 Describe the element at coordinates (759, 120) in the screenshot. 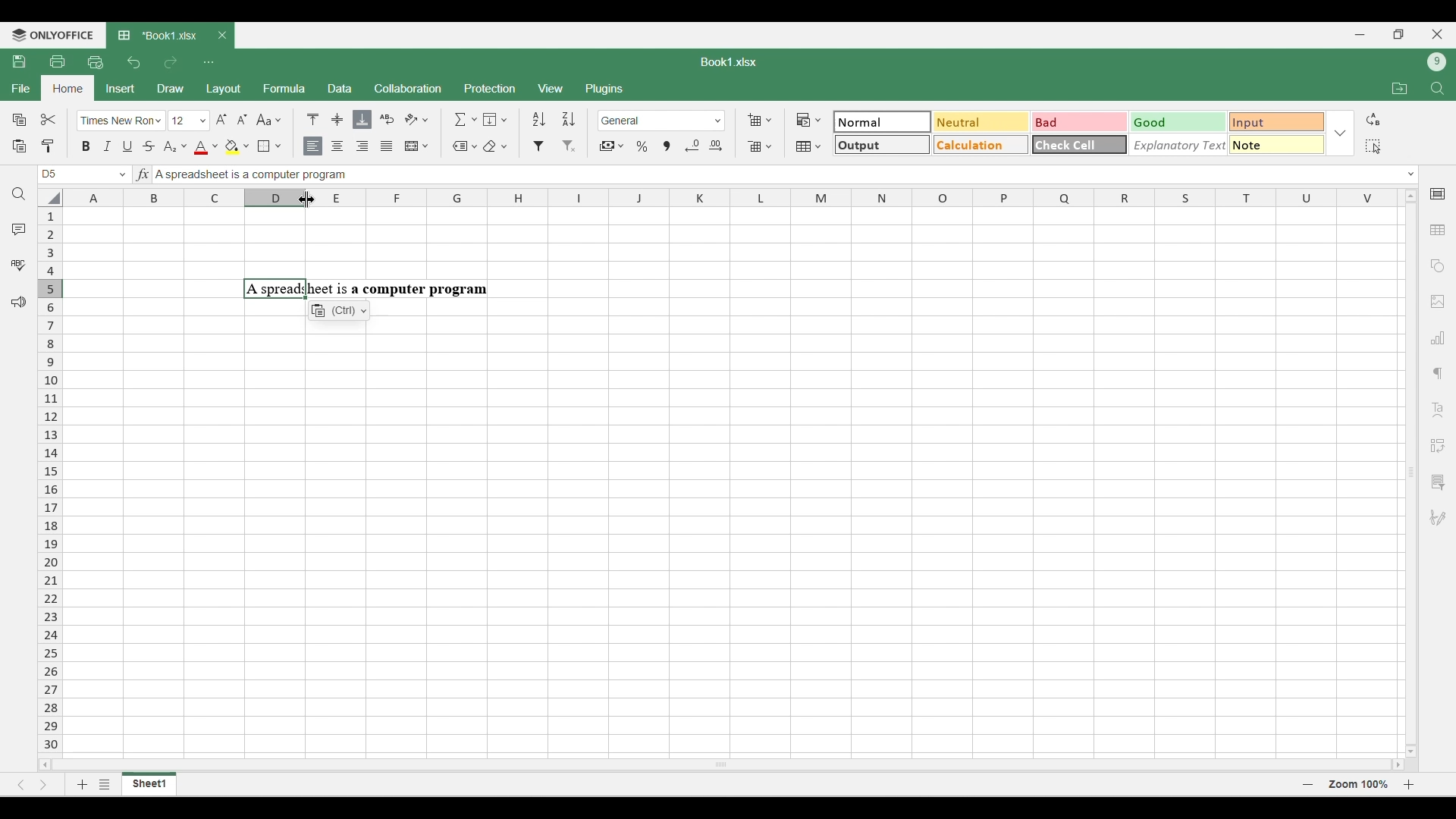

I see `Insert cell options` at that location.